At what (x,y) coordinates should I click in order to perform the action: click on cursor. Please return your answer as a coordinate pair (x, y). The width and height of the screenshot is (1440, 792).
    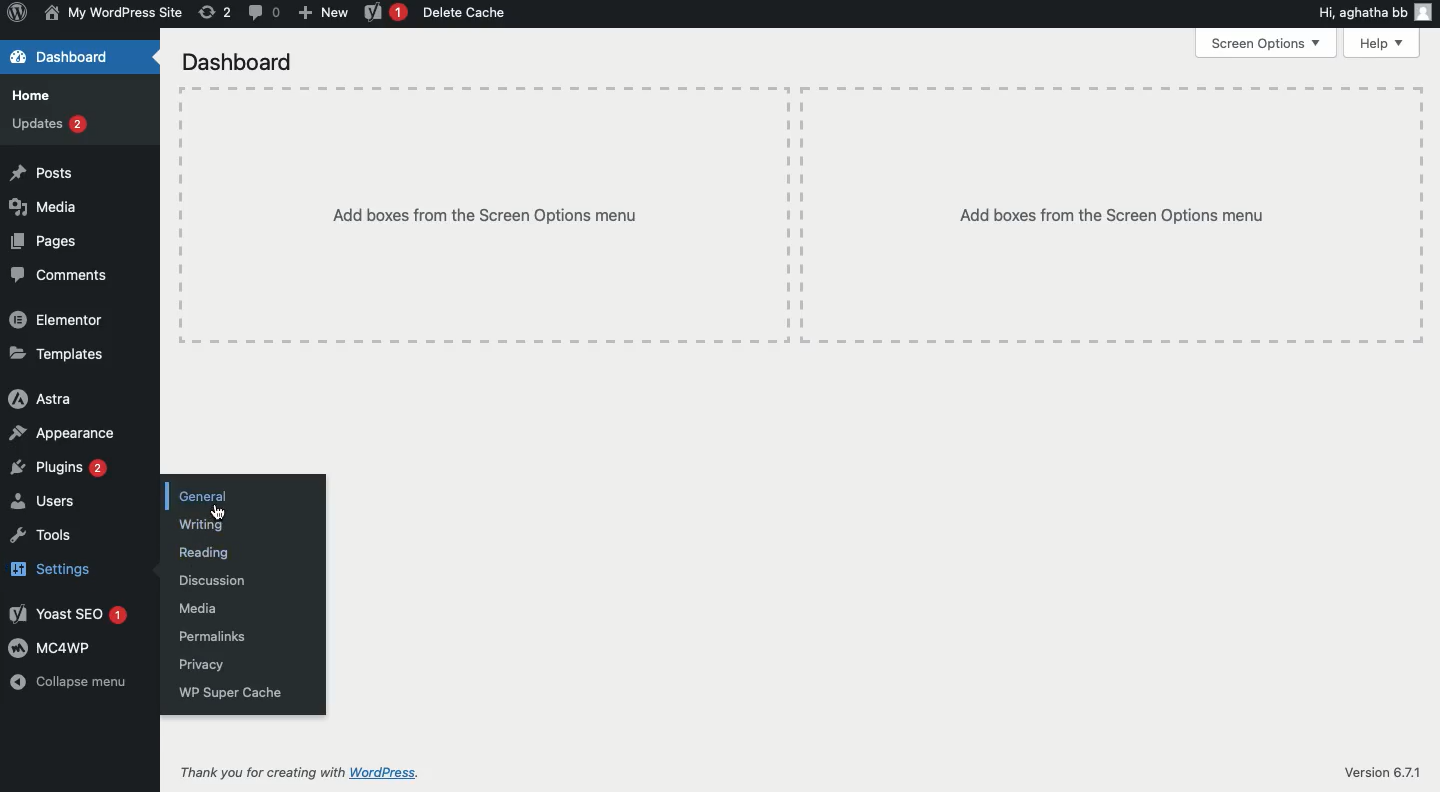
    Looking at the image, I should click on (214, 512).